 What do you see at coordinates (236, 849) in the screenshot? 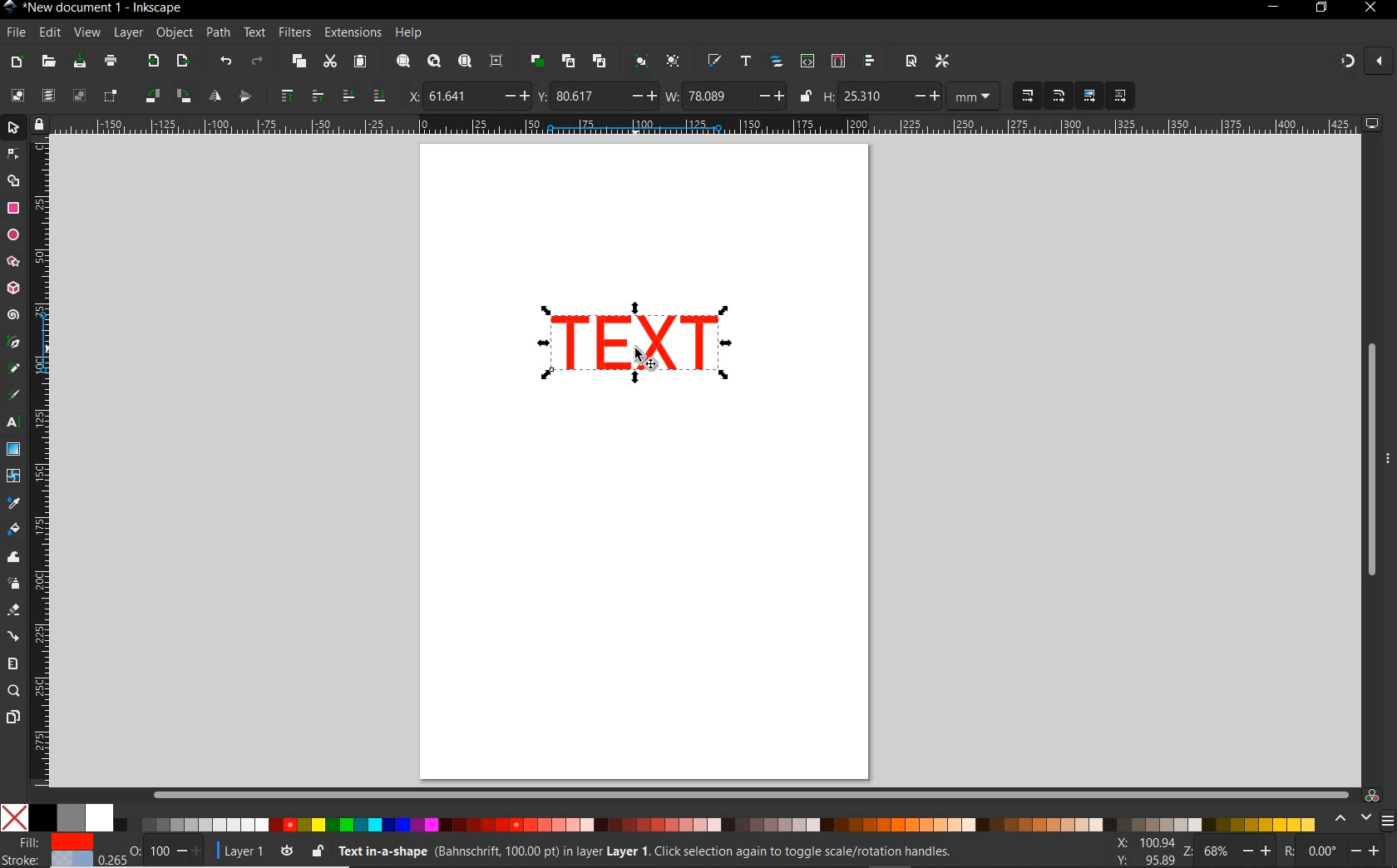
I see `current layer` at bounding box center [236, 849].